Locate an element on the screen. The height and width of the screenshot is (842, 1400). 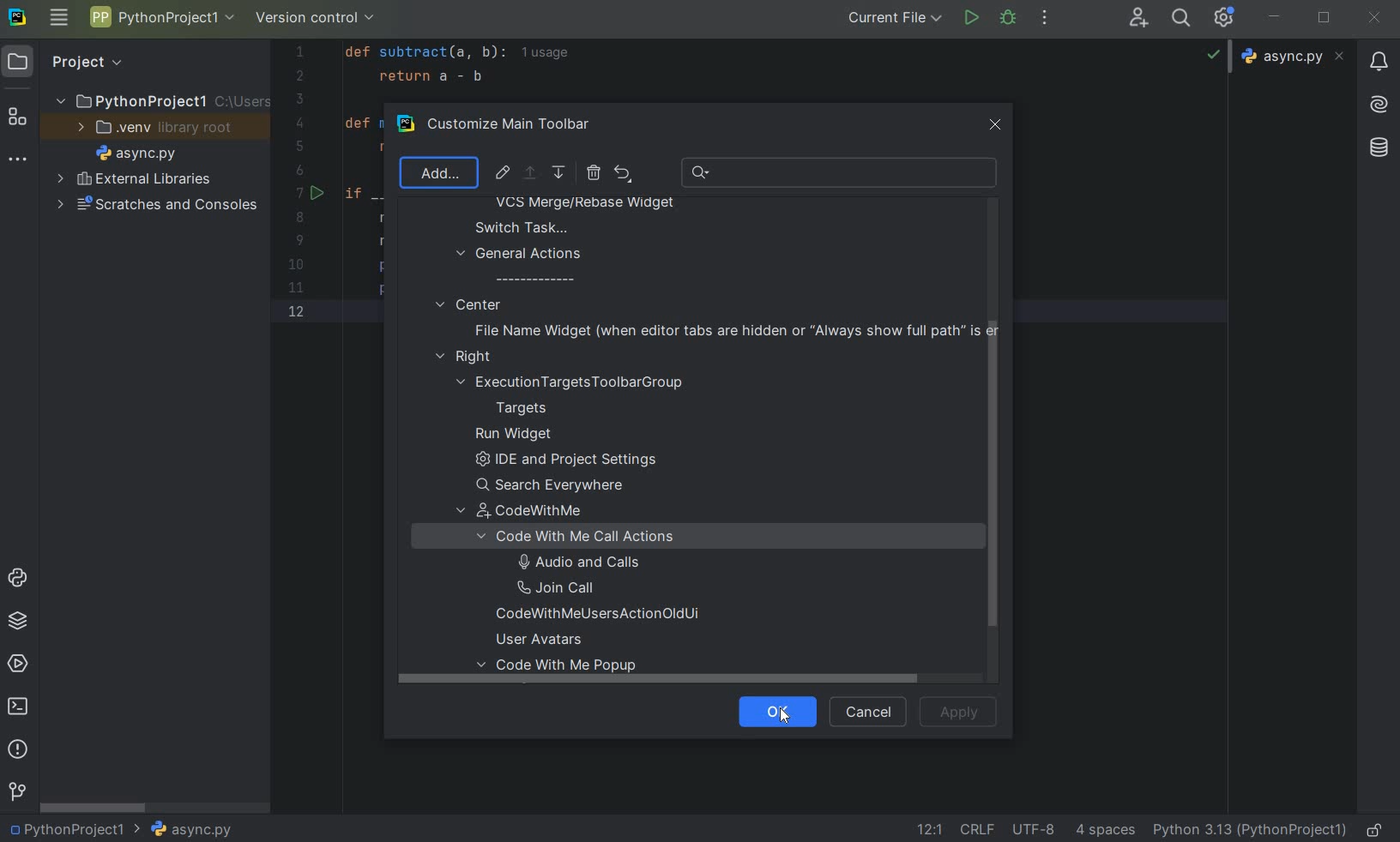
VERSION CONTROL is located at coordinates (16, 791).